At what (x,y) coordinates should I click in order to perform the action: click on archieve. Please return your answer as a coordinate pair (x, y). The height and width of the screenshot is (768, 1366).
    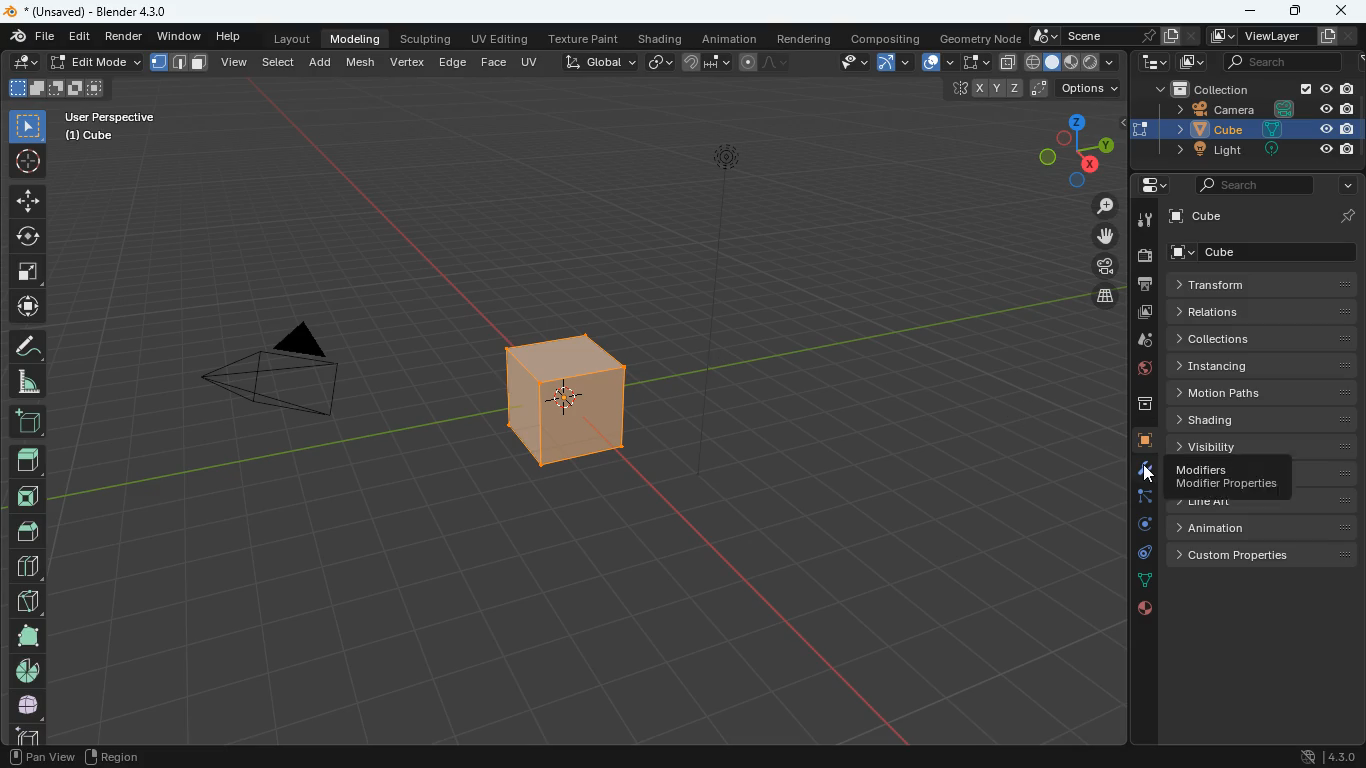
    Looking at the image, I should click on (1137, 406).